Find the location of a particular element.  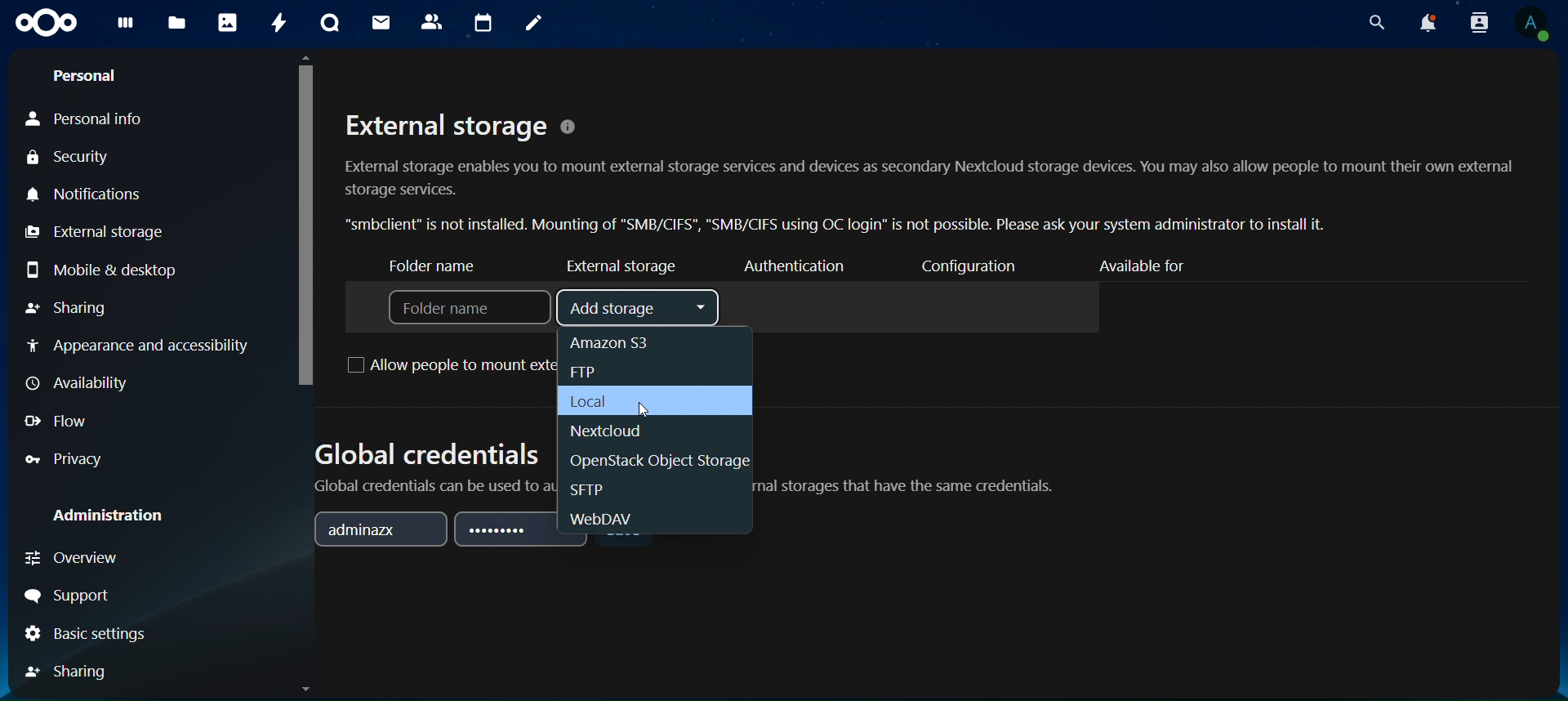

security is located at coordinates (82, 157).